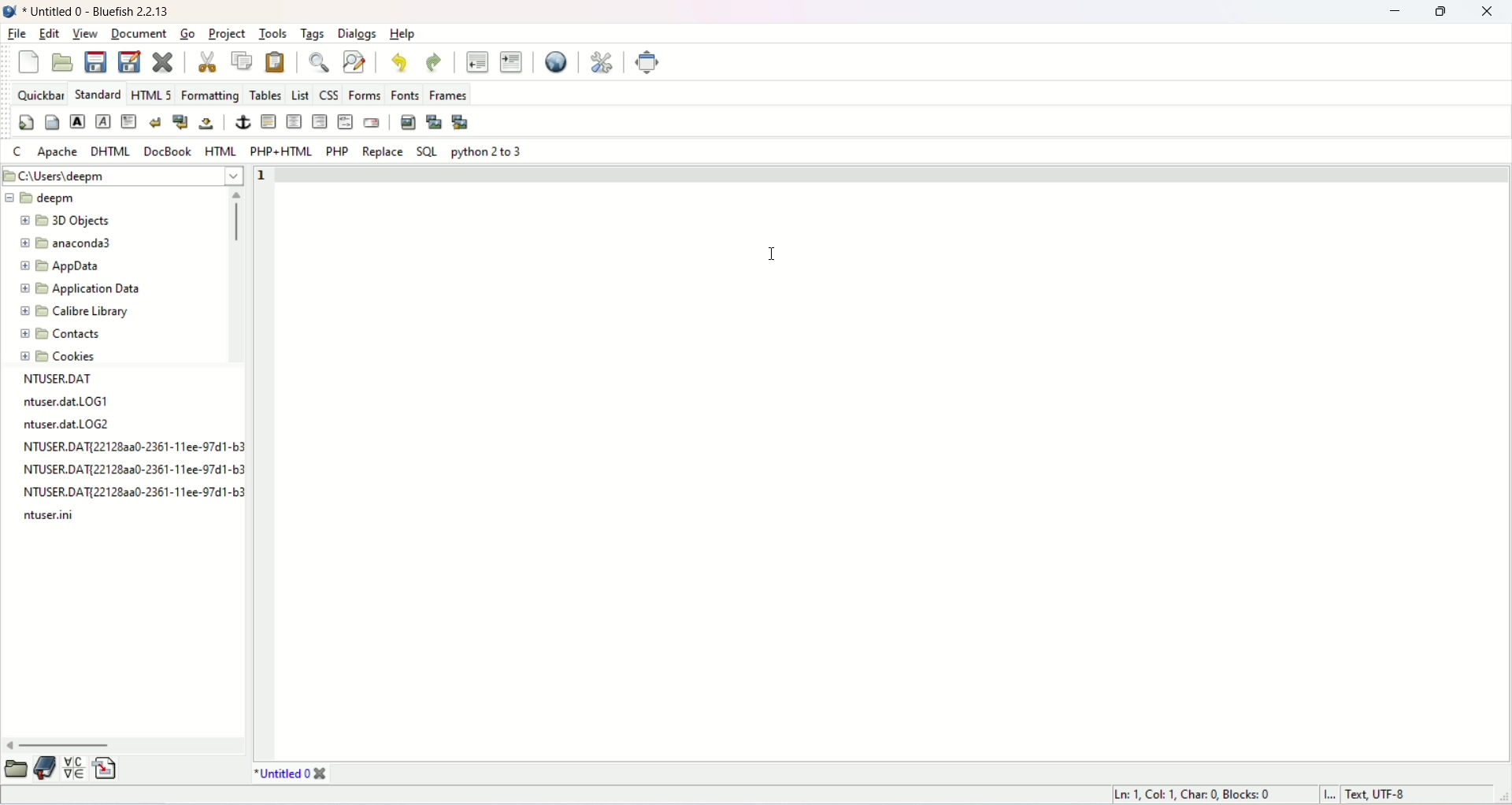  I want to click on formatting, so click(213, 94).